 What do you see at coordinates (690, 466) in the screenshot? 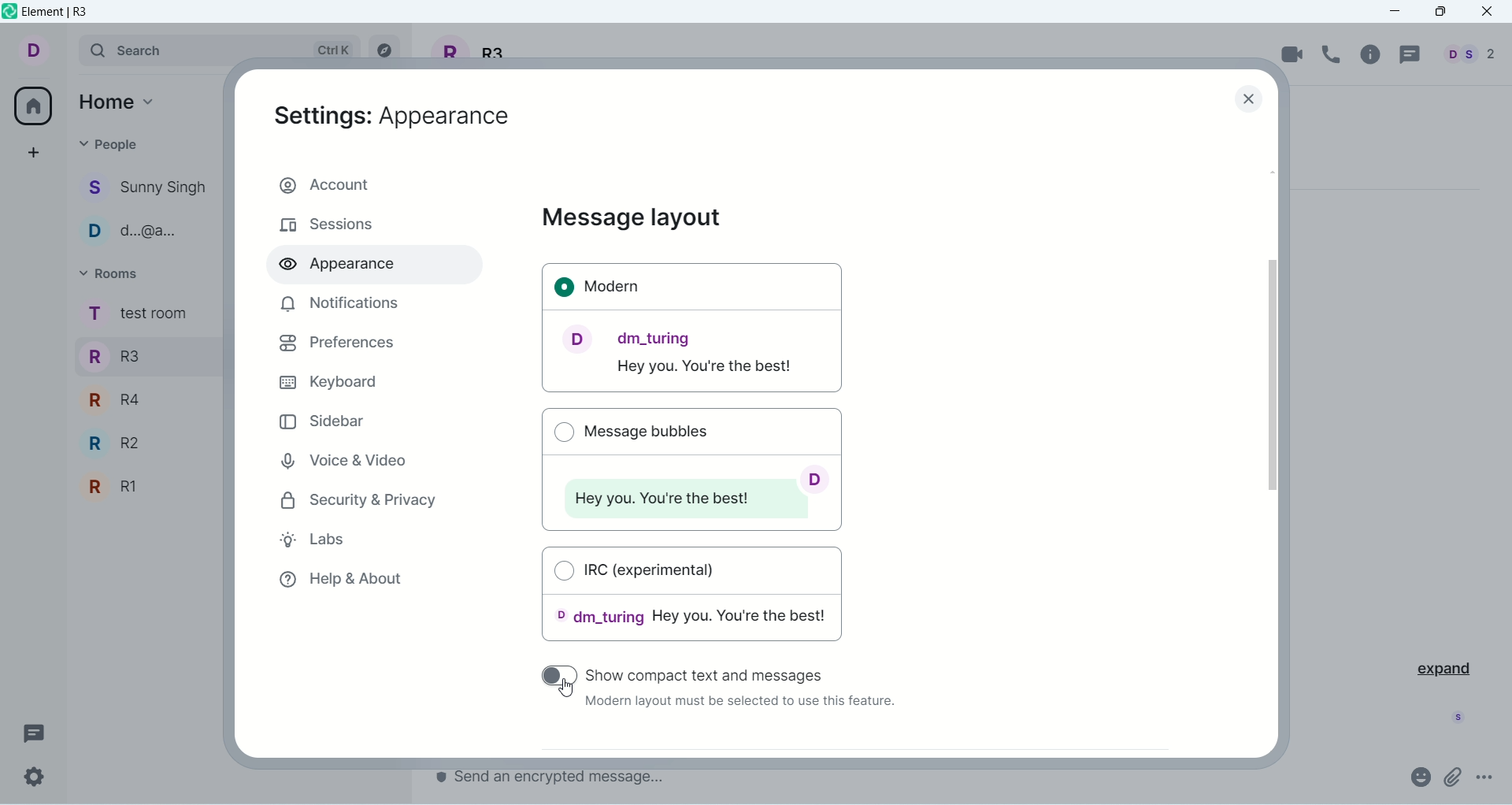
I see `message bubbles` at bounding box center [690, 466].